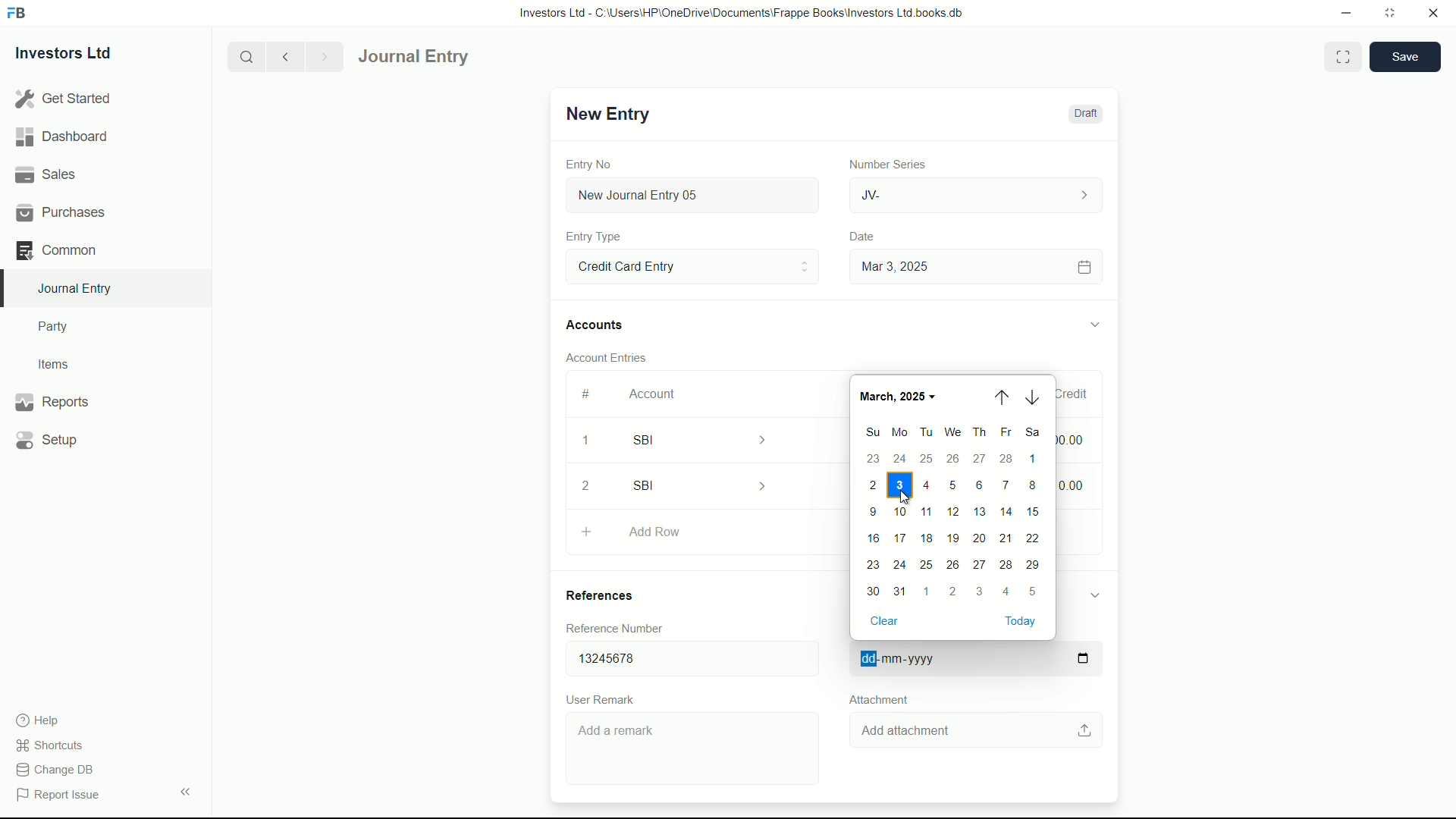  I want to click on next month, so click(1033, 397).